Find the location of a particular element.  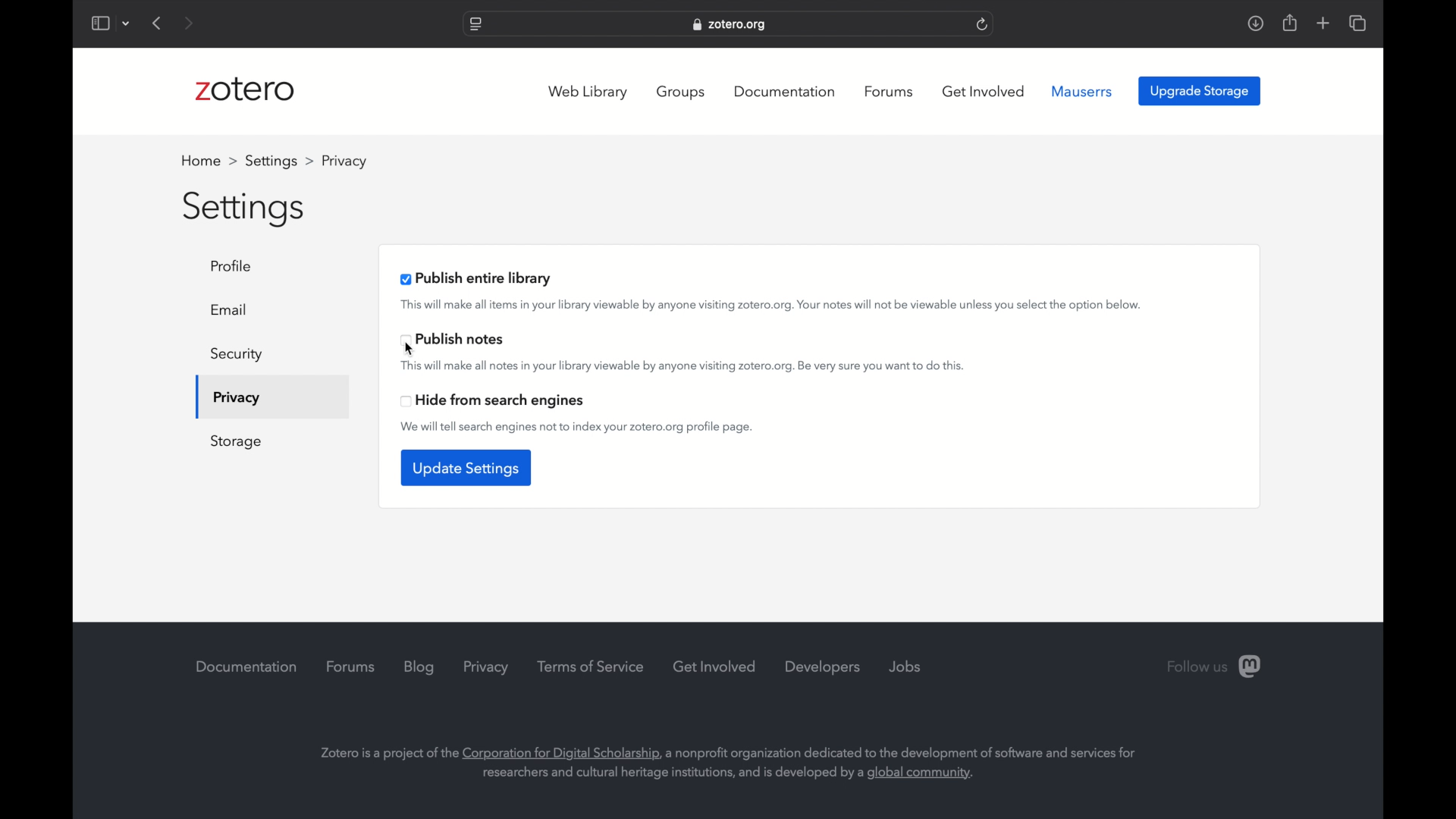

groups is located at coordinates (682, 93).